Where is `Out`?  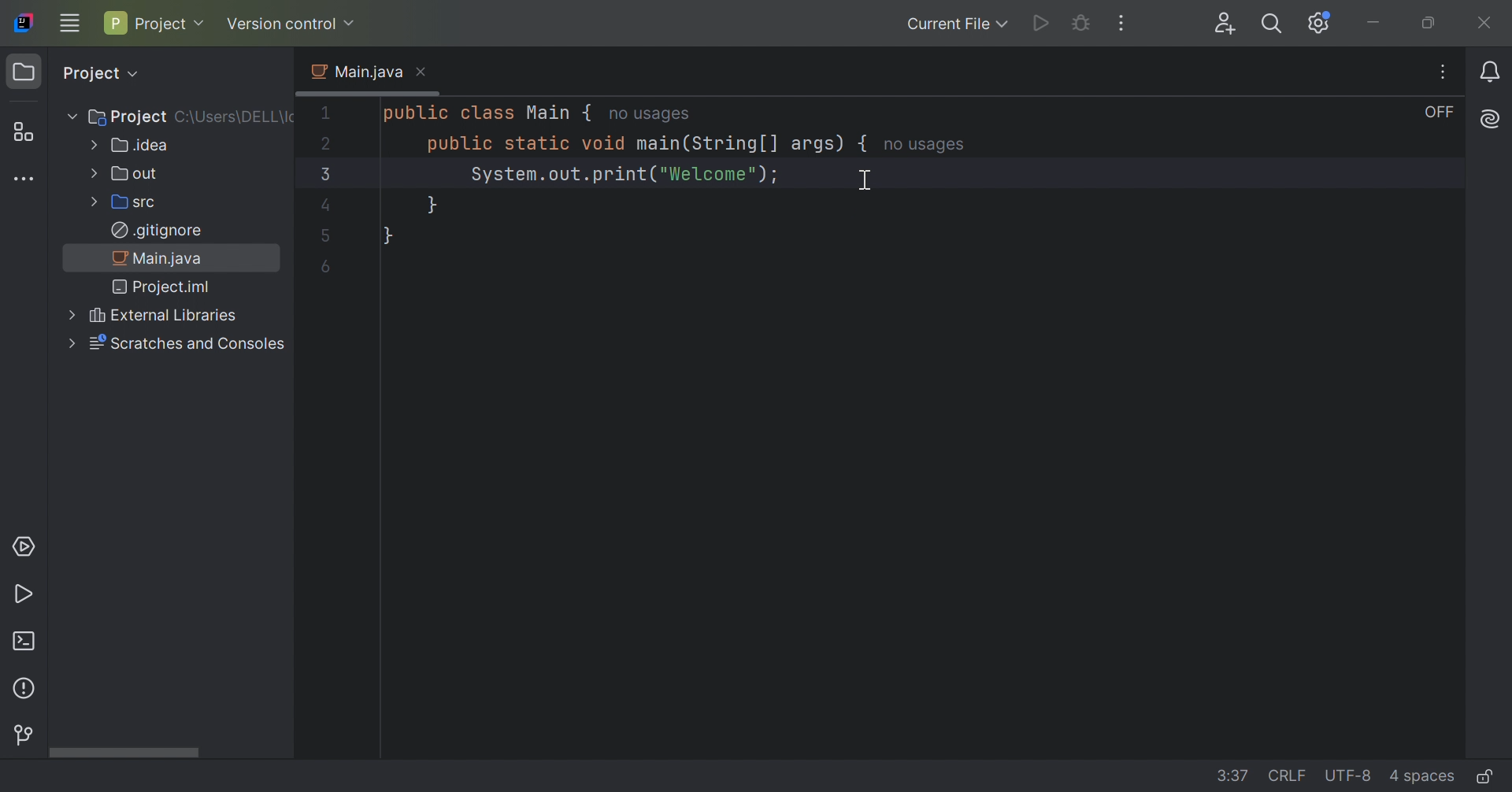 Out is located at coordinates (124, 174).